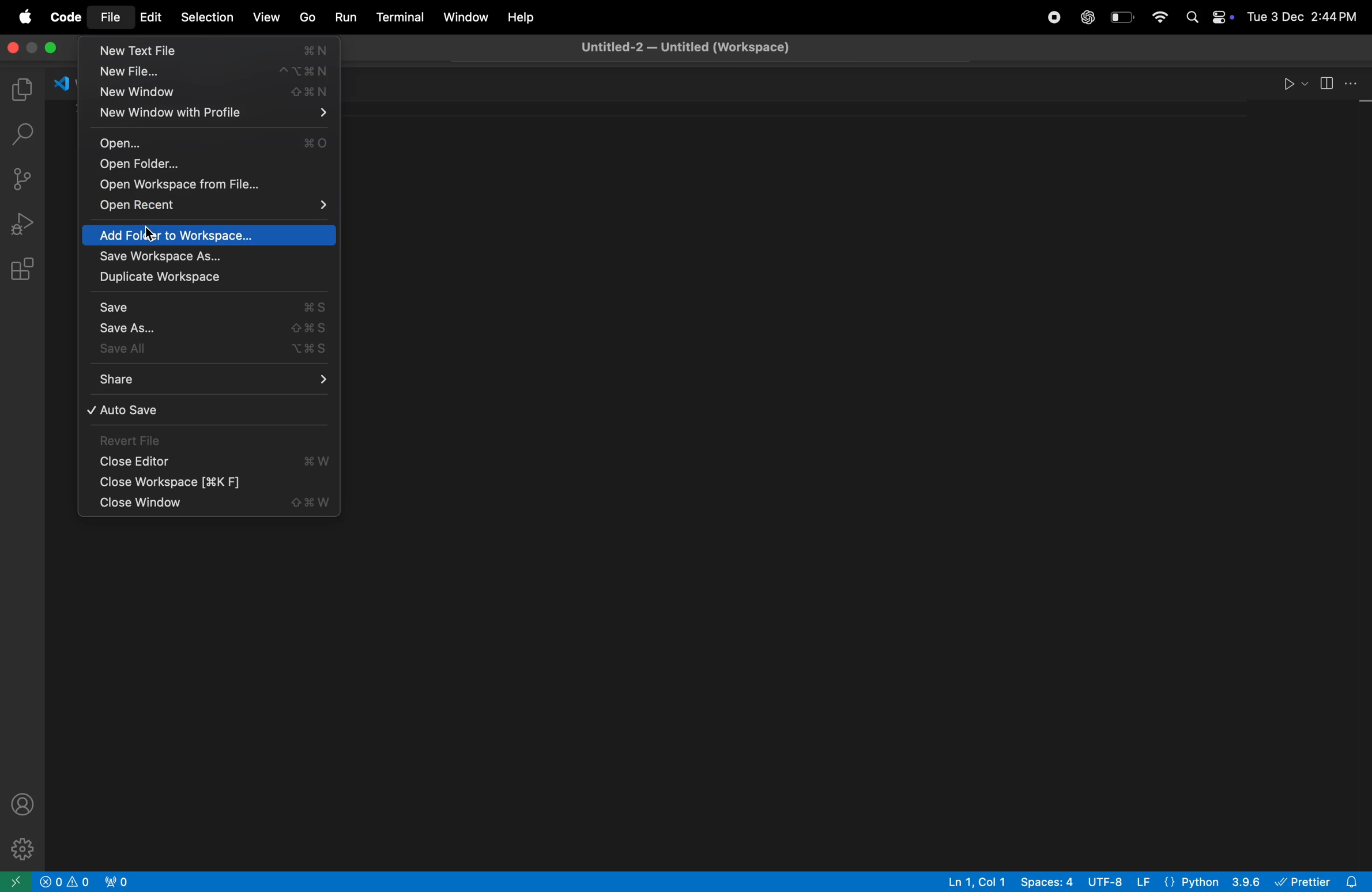 The height and width of the screenshot is (892, 1372). Describe the element at coordinates (31, 48) in the screenshot. I see `minimize` at that location.